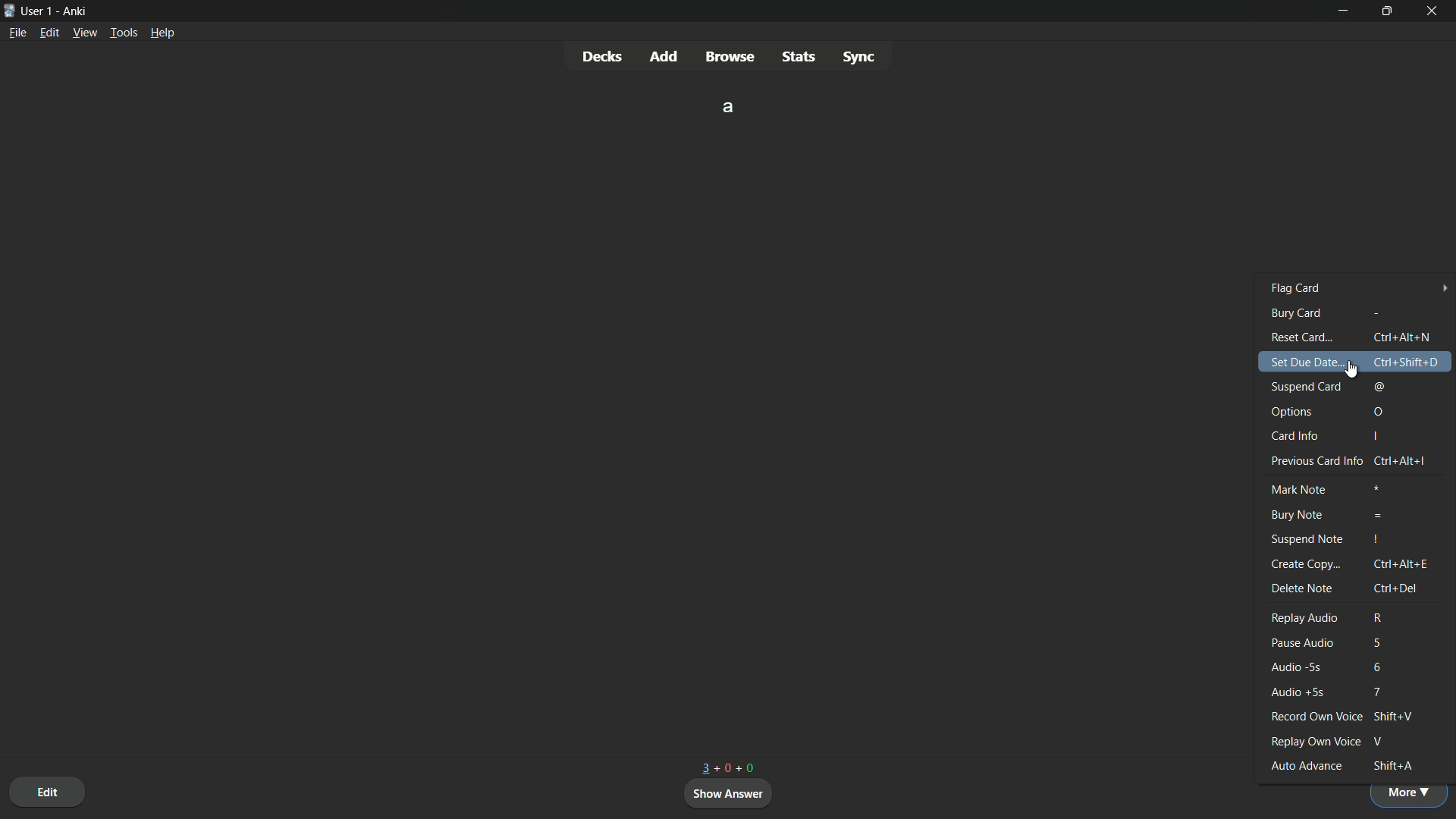 The height and width of the screenshot is (819, 1456). I want to click on keyboard shortcut, so click(1392, 715).